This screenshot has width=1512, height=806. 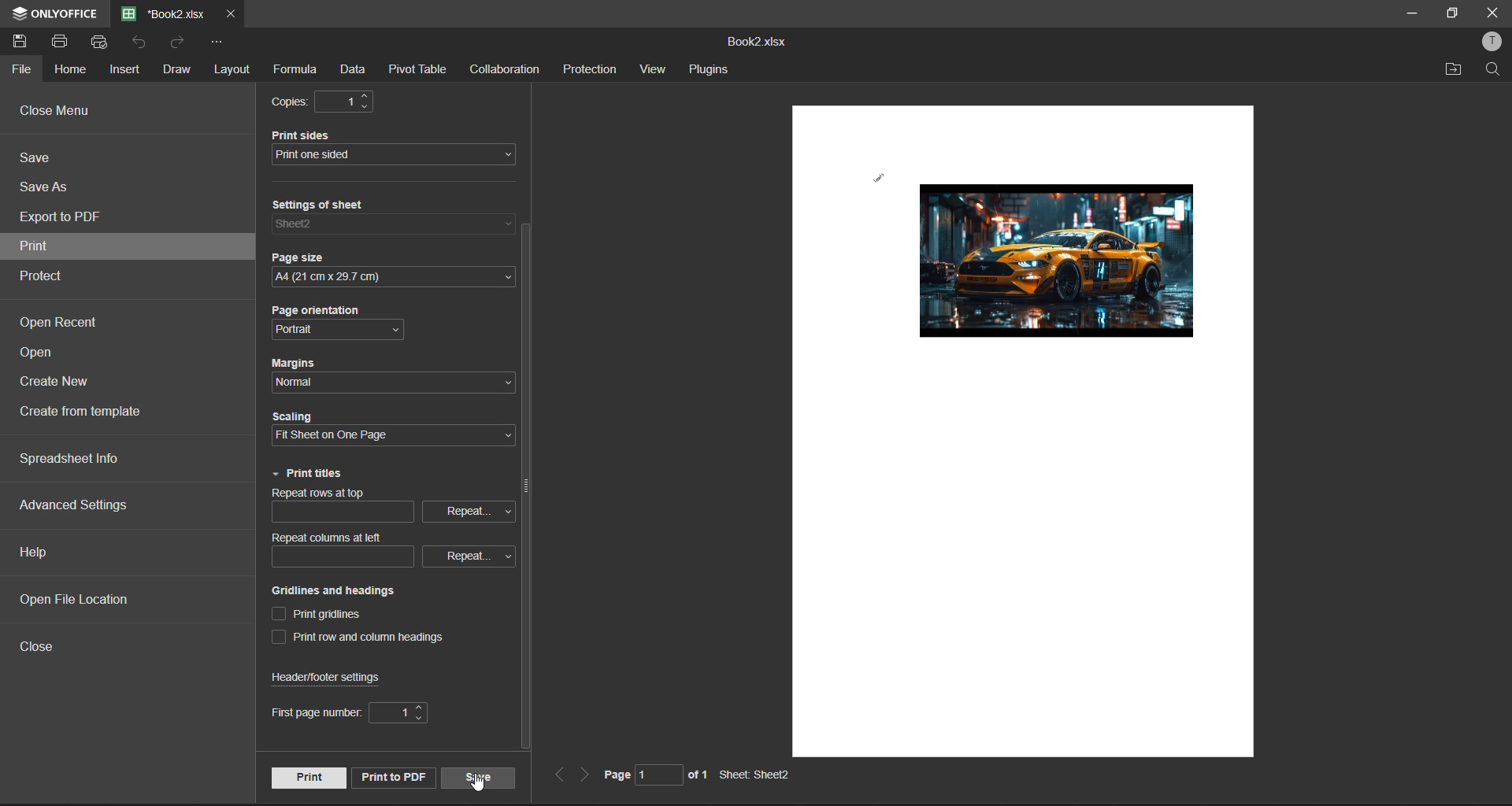 I want to click on scaling changed, so click(x=350, y=434).